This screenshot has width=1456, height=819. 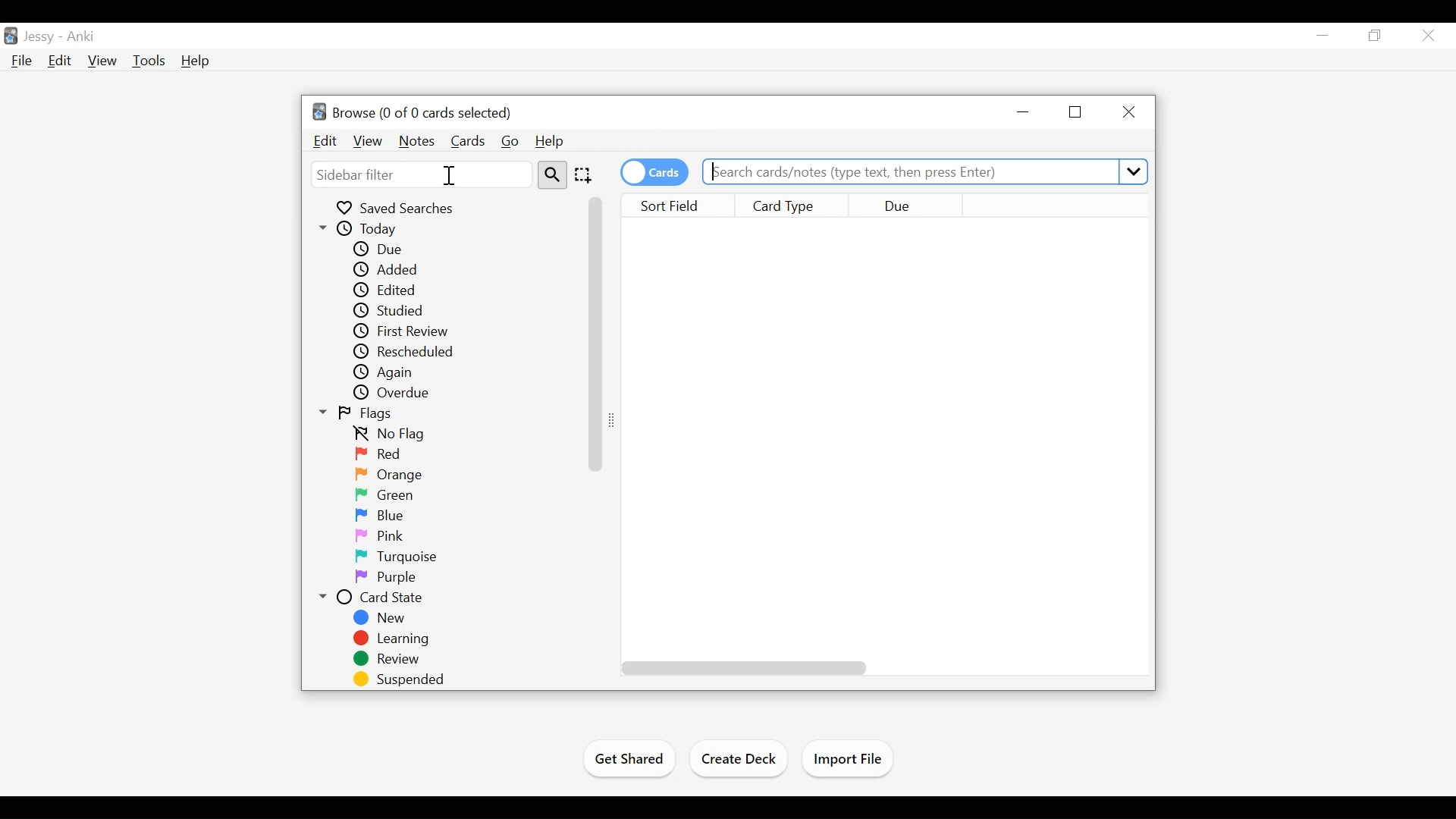 I want to click on Turquoise, so click(x=399, y=556).